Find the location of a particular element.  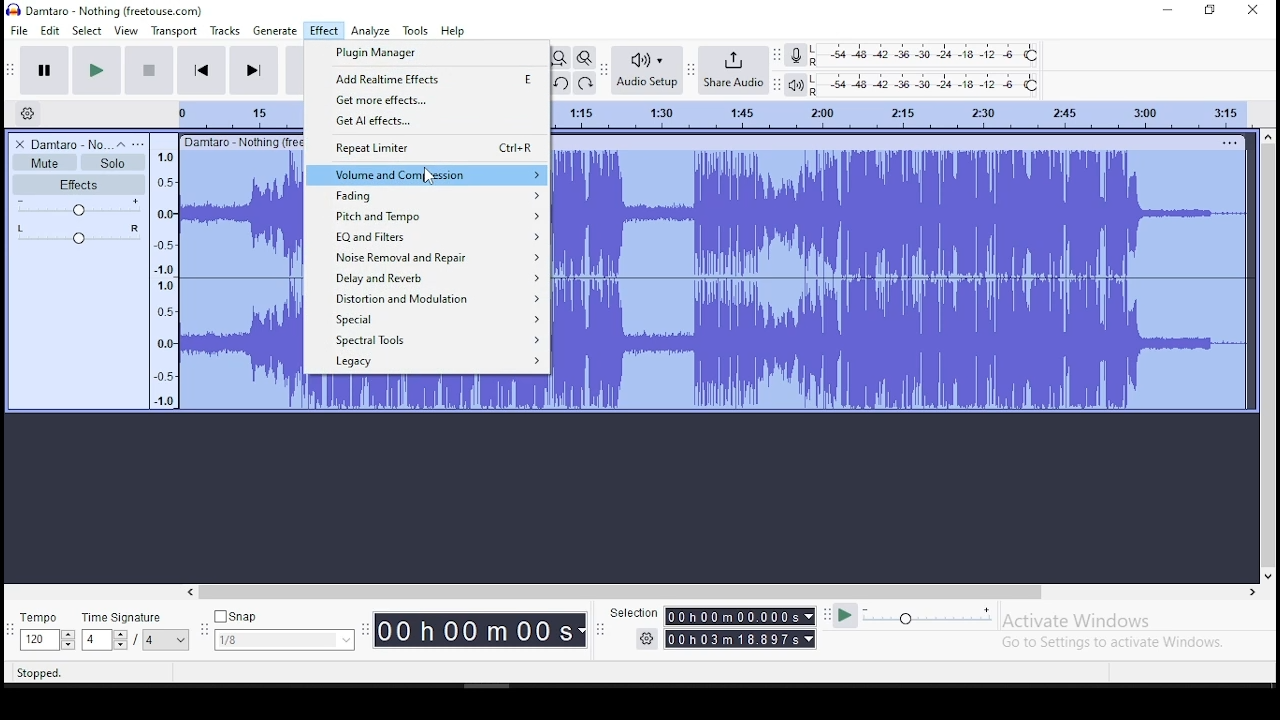

EQ and filters is located at coordinates (428, 238).